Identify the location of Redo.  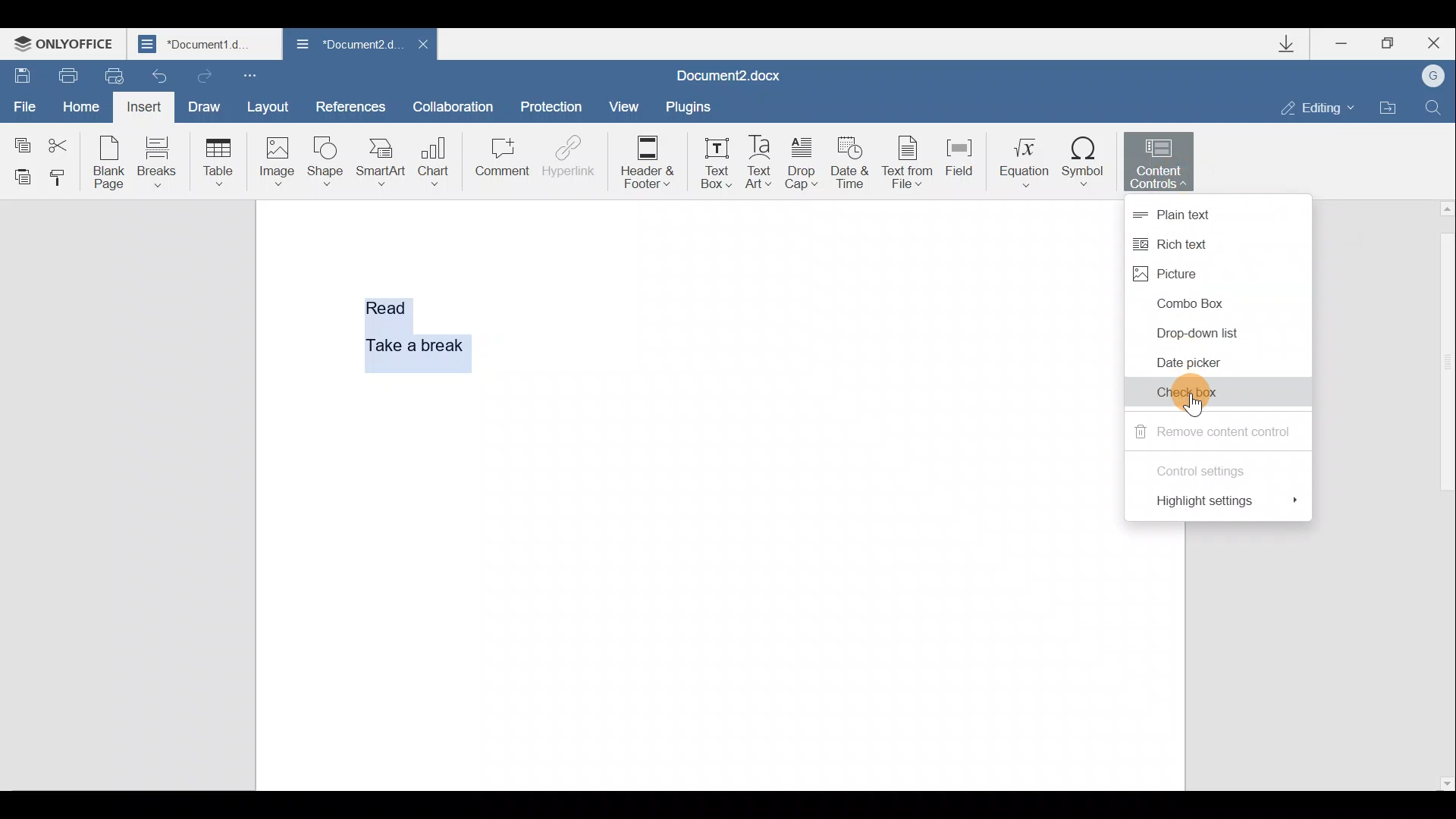
(204, 75).